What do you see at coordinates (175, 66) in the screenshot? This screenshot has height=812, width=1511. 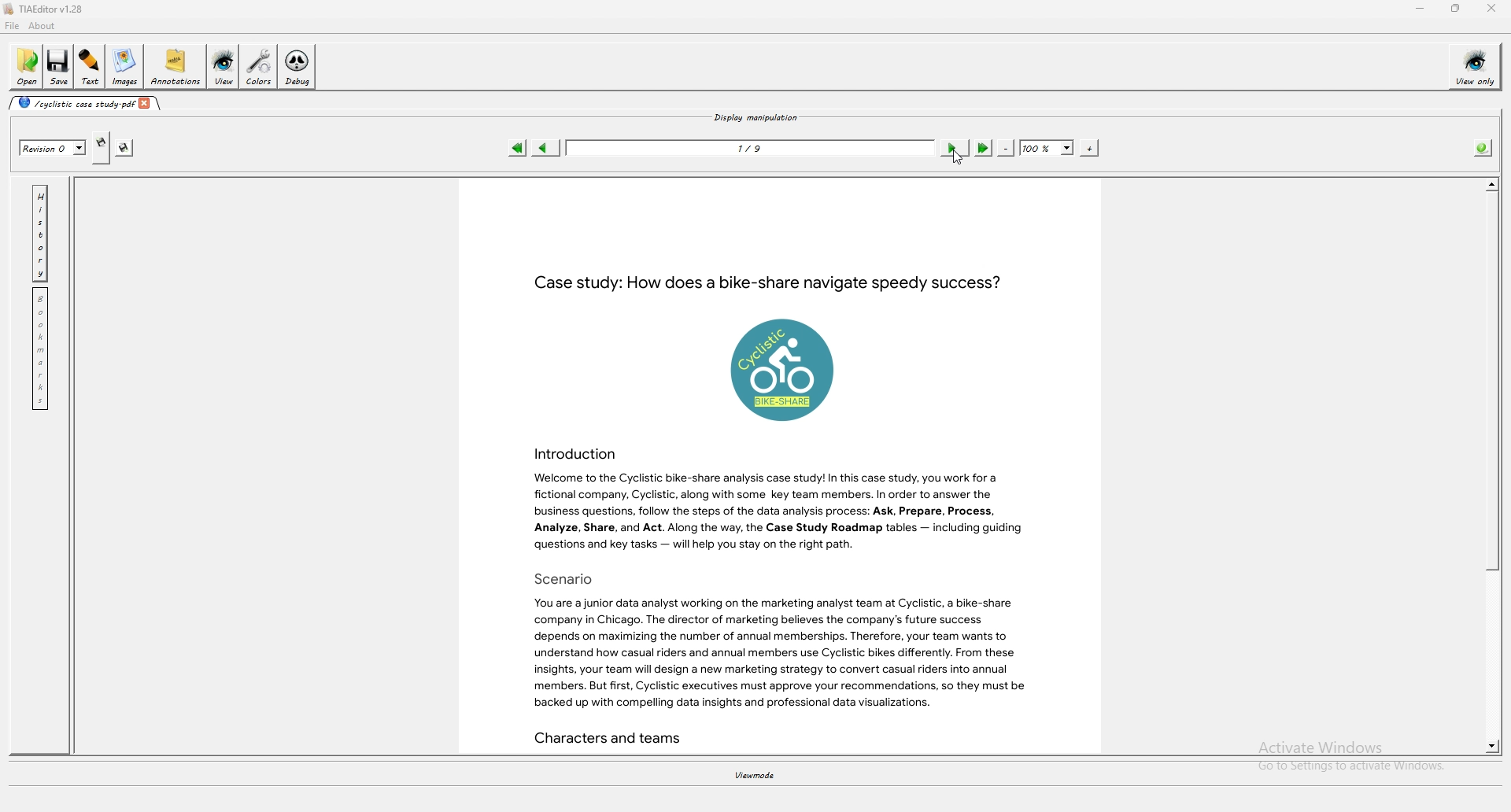 I see `annotations` at bounding box center [175, 66].